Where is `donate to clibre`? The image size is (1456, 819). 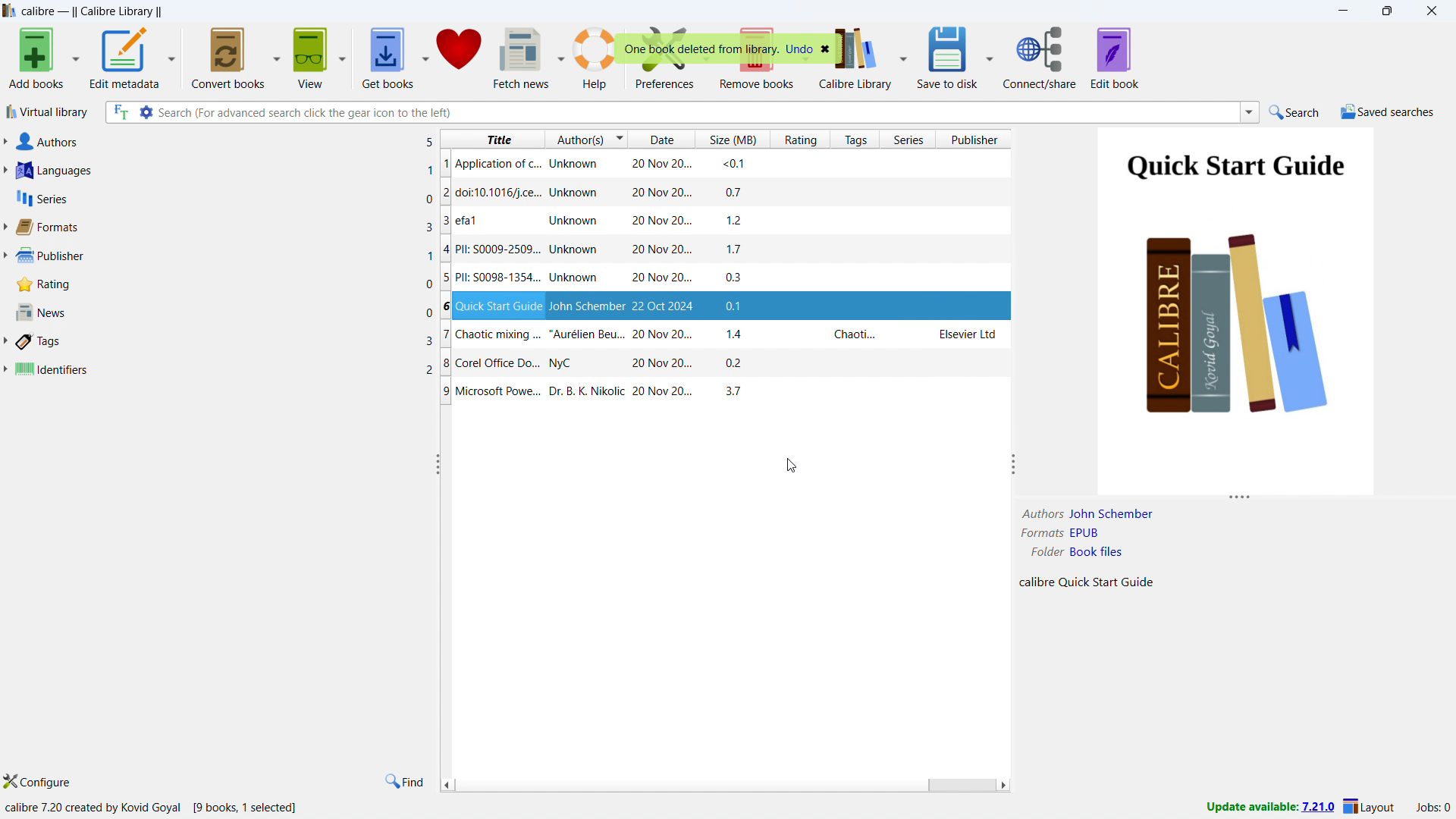 donate to clibre is located at coordinates (460, 56).